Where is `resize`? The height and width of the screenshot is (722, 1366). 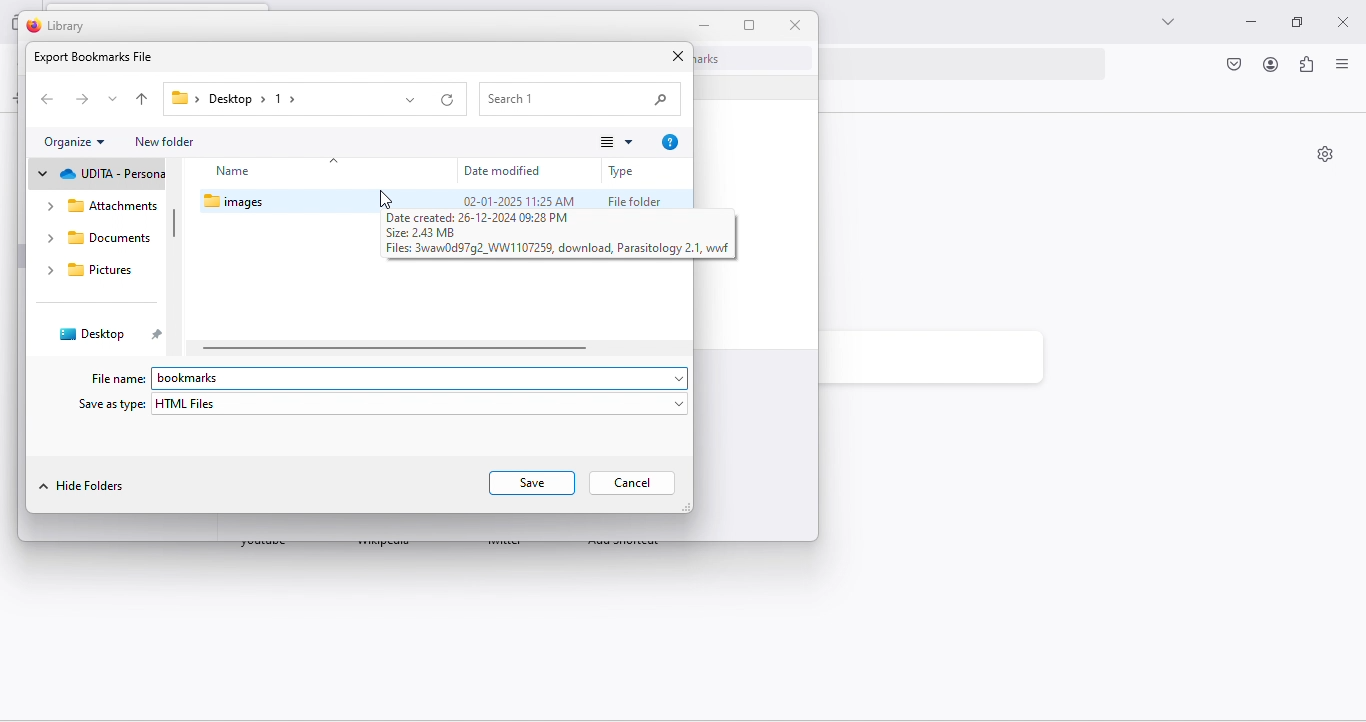
resize is located at coordinates (751, 25).